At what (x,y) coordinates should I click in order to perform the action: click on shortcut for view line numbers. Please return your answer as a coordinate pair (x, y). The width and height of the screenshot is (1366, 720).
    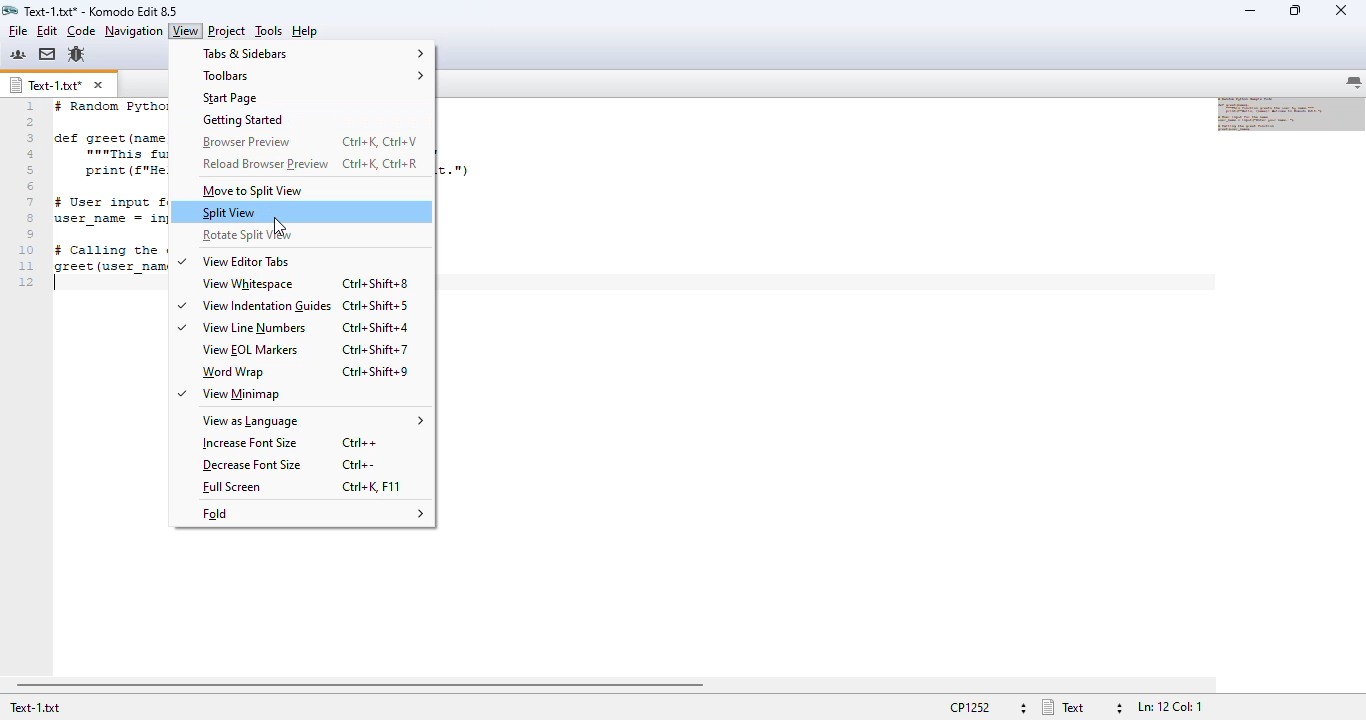
    Looking at the image, I should click on (375, 327).